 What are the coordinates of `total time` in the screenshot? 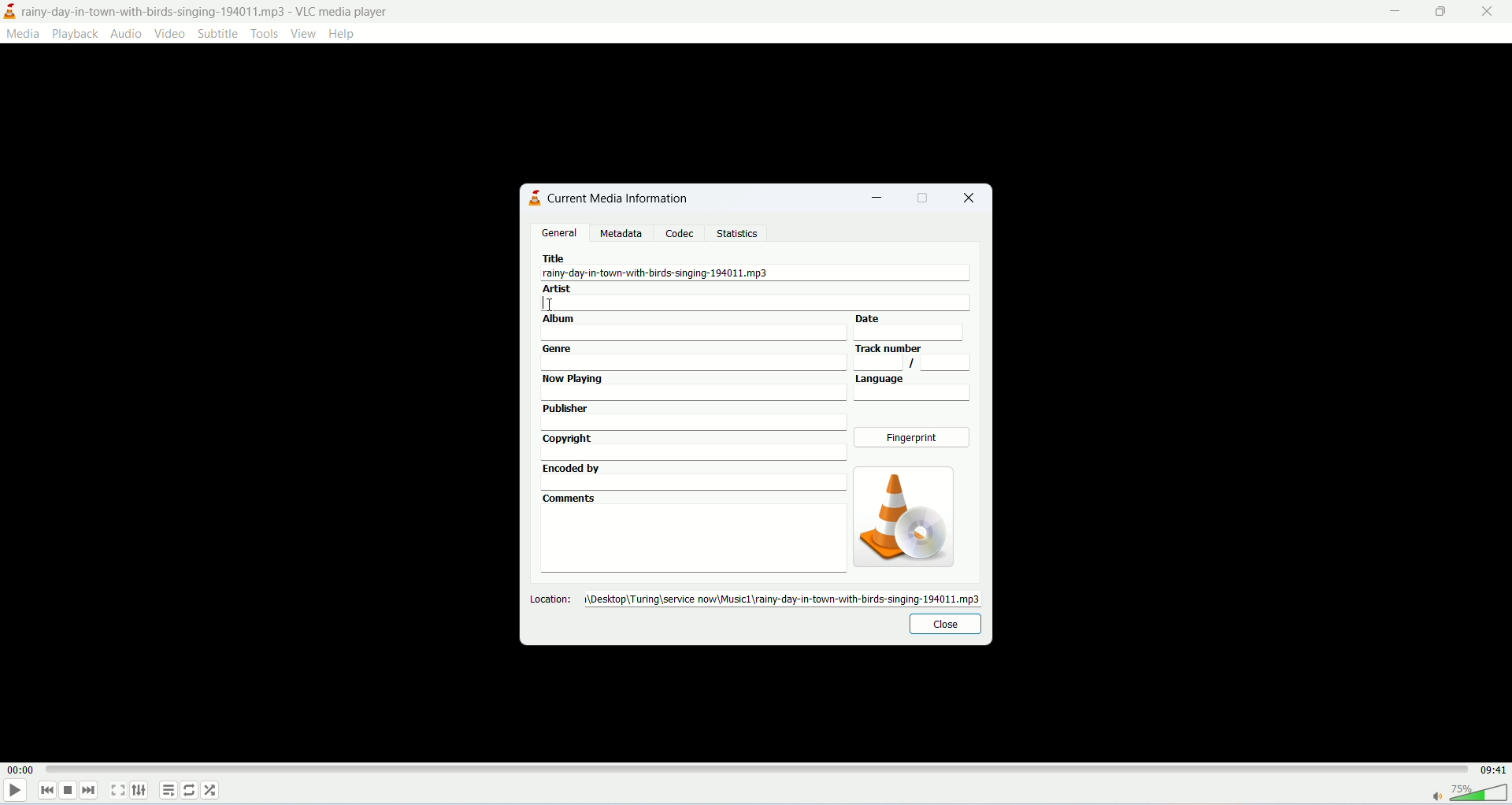 It's located at (1492, 770).